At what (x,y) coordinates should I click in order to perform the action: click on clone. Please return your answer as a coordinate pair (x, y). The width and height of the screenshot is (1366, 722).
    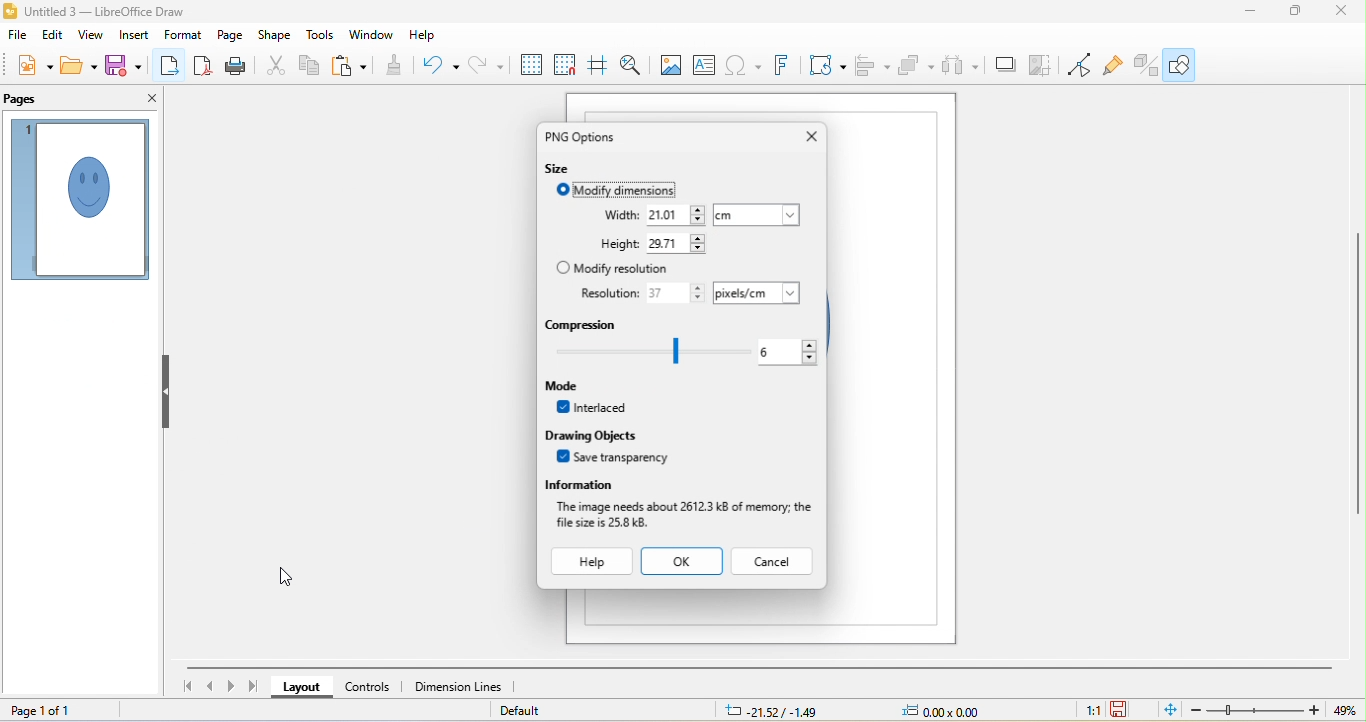
    Looking at the image, I should click on (396, 65).